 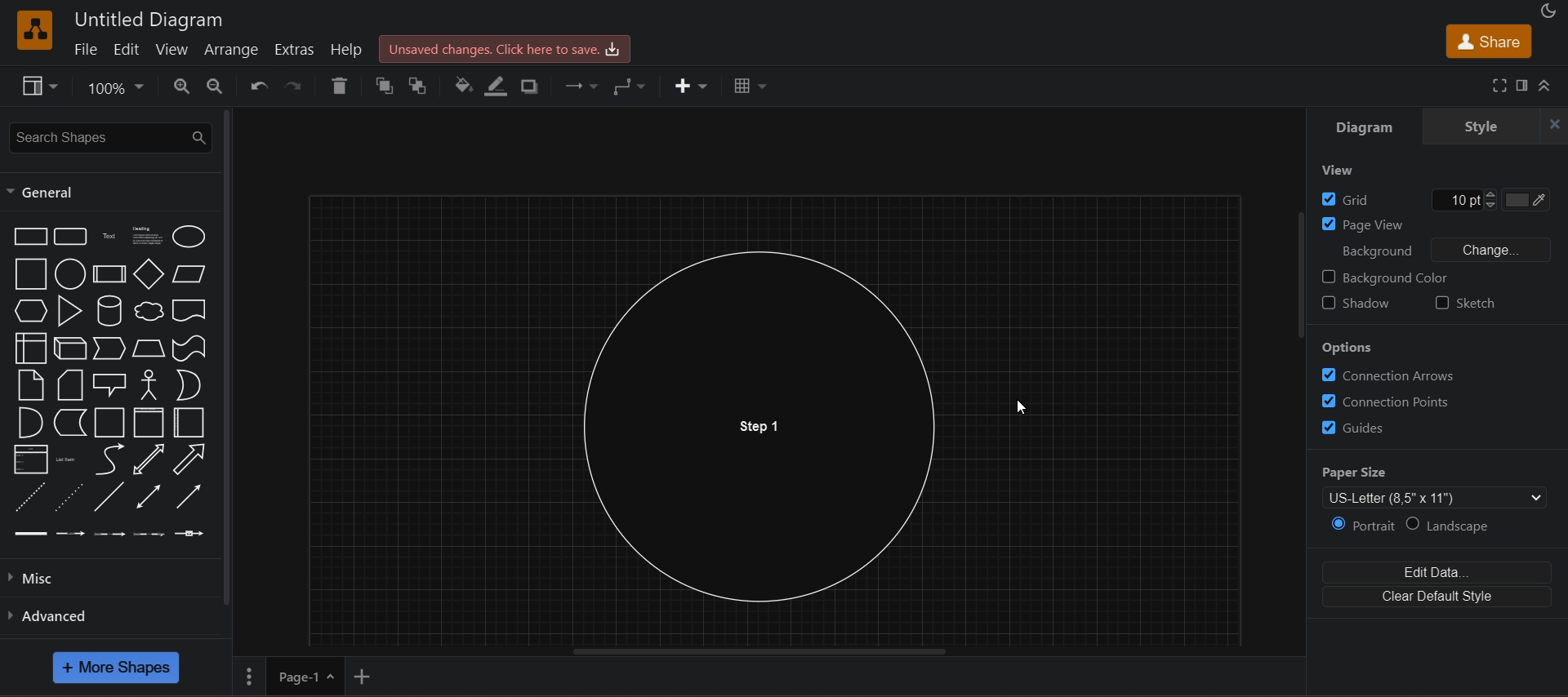 What do you see at coordinates (151, 422) in the screenshot?
I see `vertical container` at bounding box center [151, 422].